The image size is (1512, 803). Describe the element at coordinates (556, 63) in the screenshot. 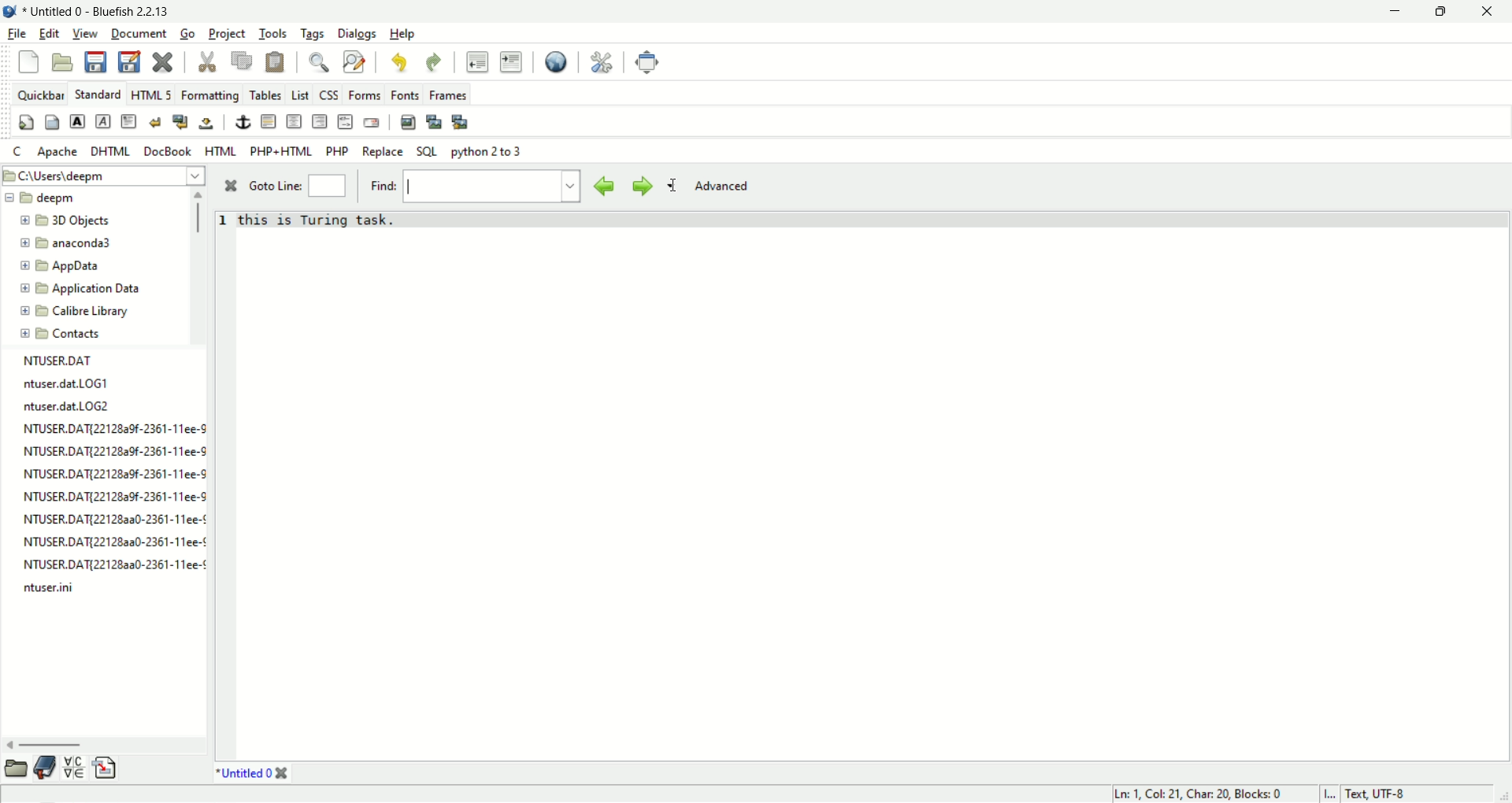

I see `view in browser` at that location.